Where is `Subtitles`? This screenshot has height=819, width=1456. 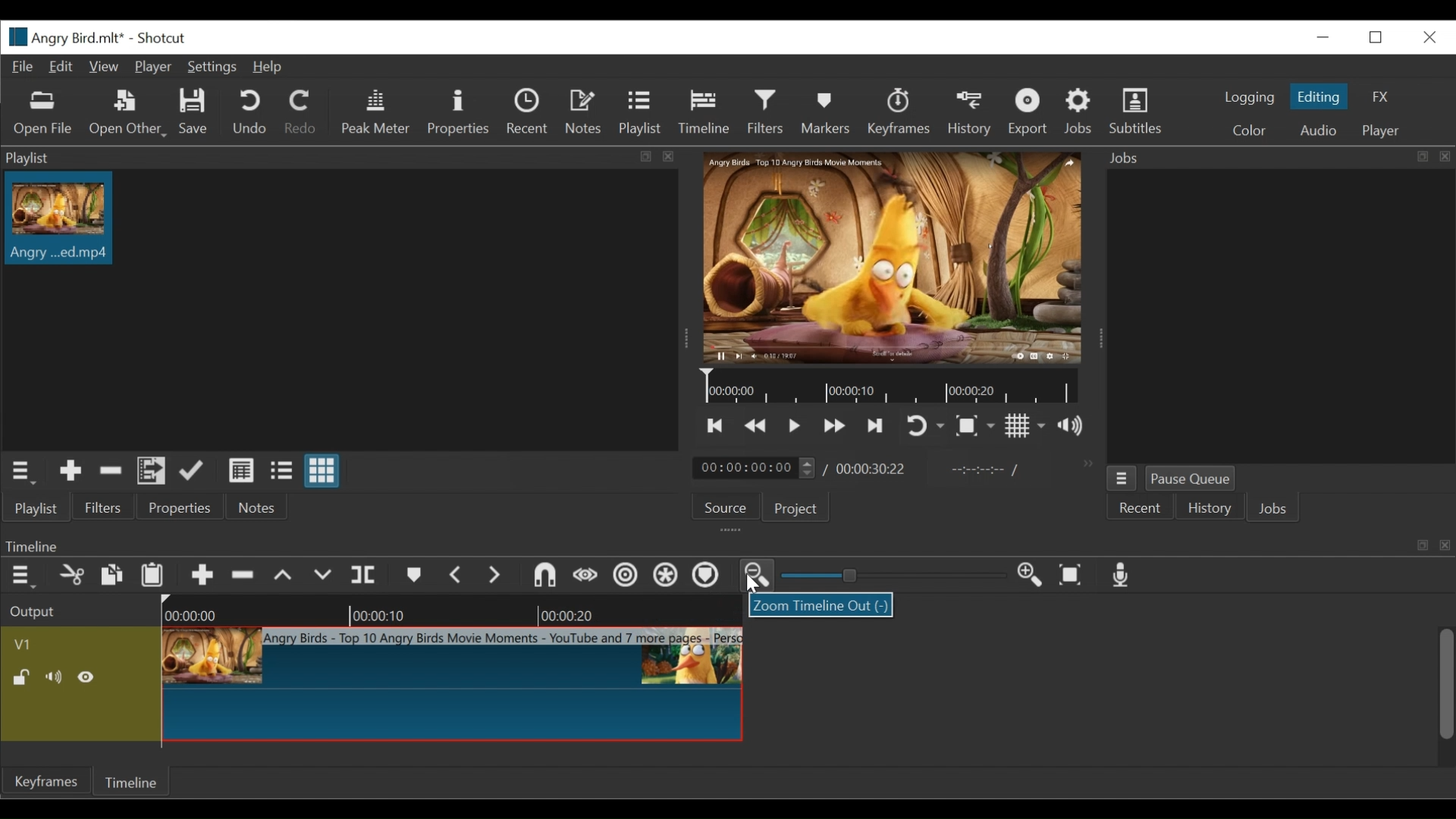
Subtitles is located at coordinates (1137, 111).